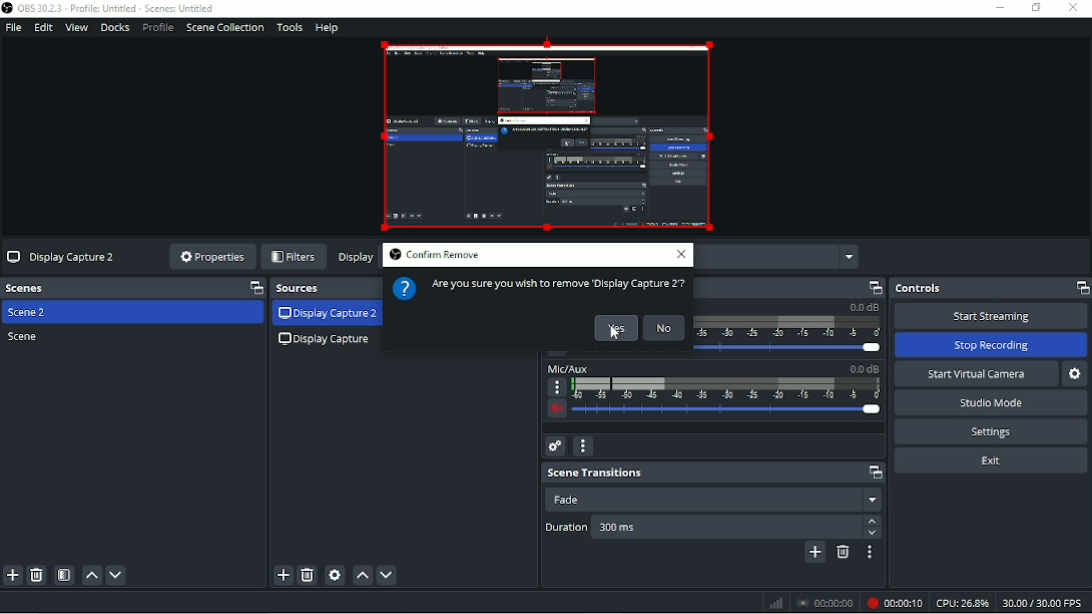 The width and height of the screenshot is (1092, 614). Describe the element at coordinates (614, 336) in the screenshot. I see `cursor` at that location.